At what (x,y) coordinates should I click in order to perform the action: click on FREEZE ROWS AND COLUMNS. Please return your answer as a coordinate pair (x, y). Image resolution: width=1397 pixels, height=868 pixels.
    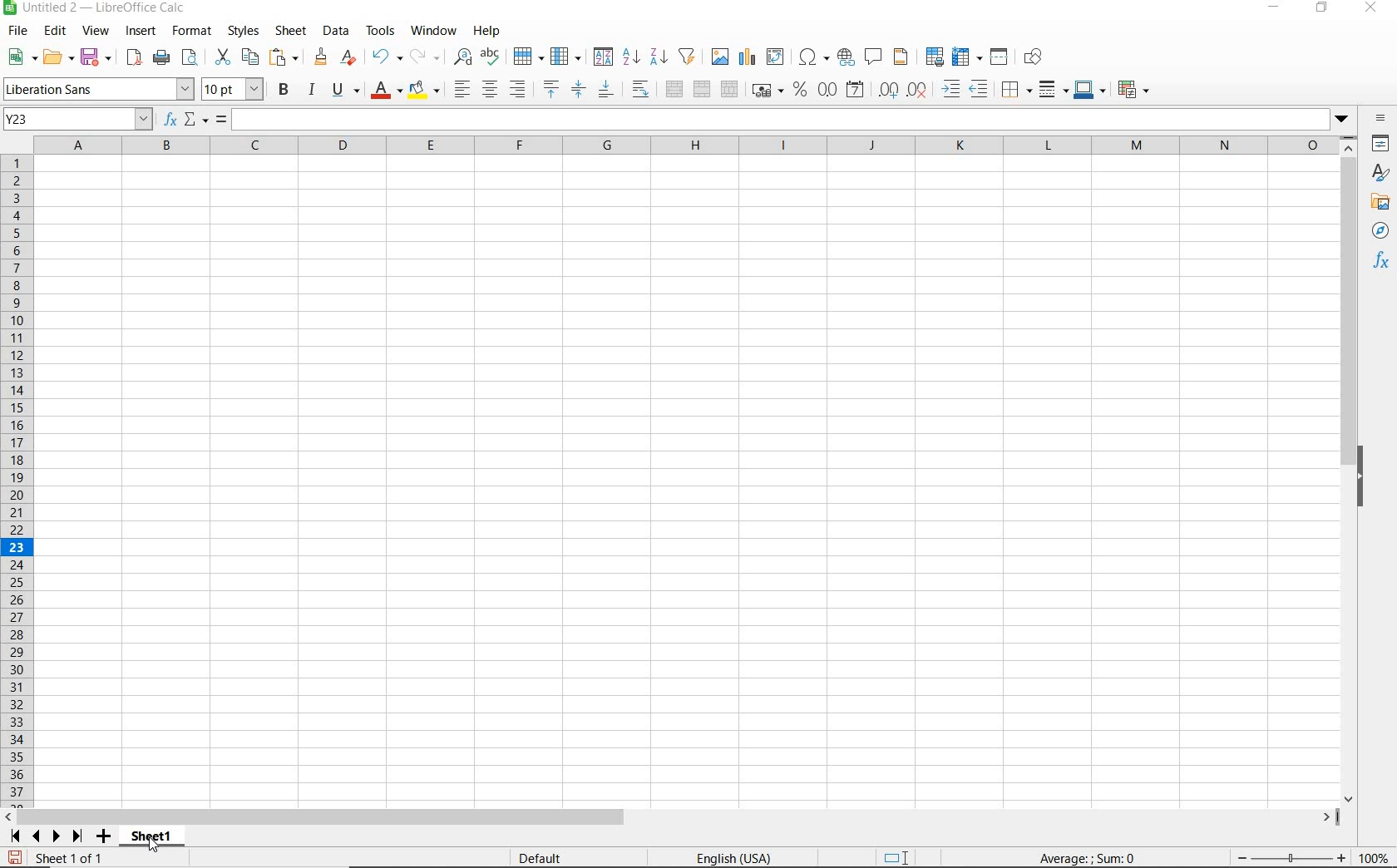
    Looking at the image, I should click on (969, 56).